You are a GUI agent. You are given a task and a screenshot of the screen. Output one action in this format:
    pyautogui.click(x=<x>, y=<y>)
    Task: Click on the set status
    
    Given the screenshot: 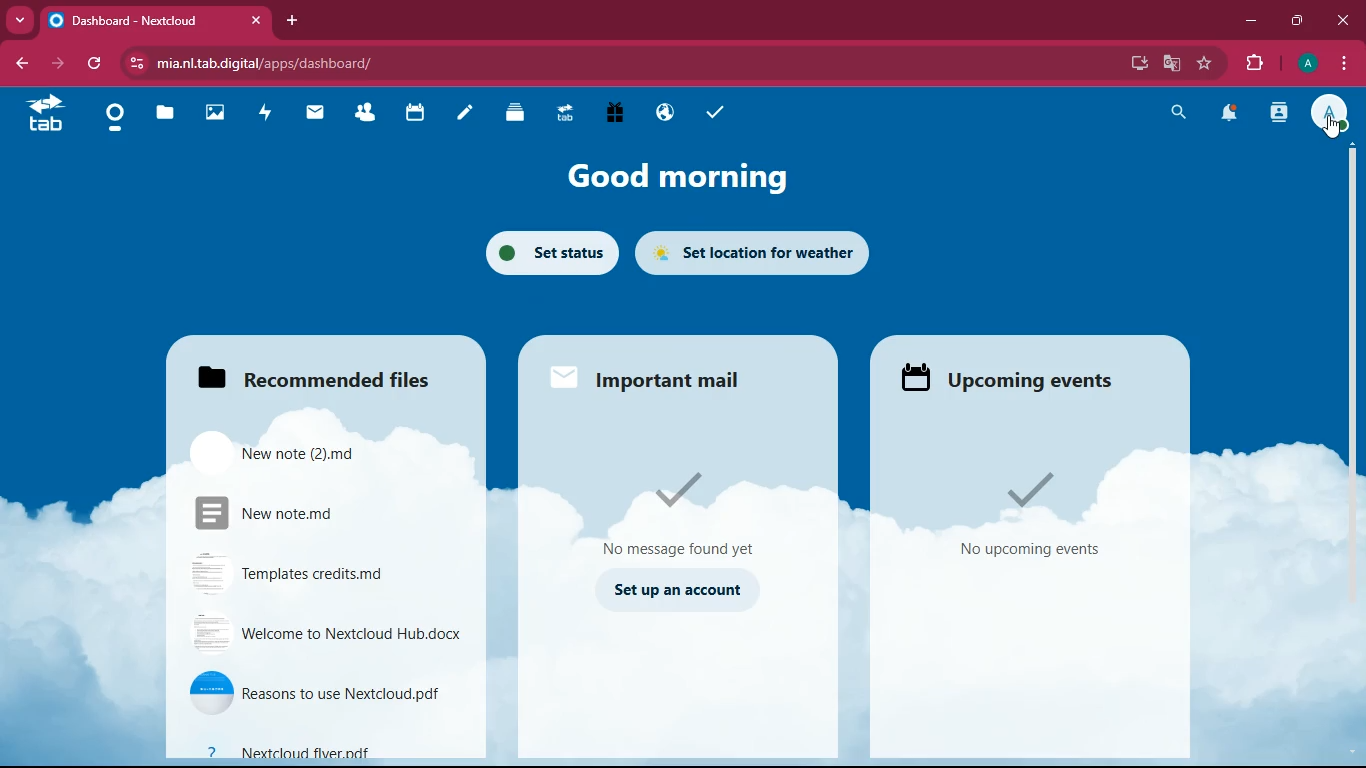 What is the action you would take?
    pyautogui.click(x=548, y=252)
    